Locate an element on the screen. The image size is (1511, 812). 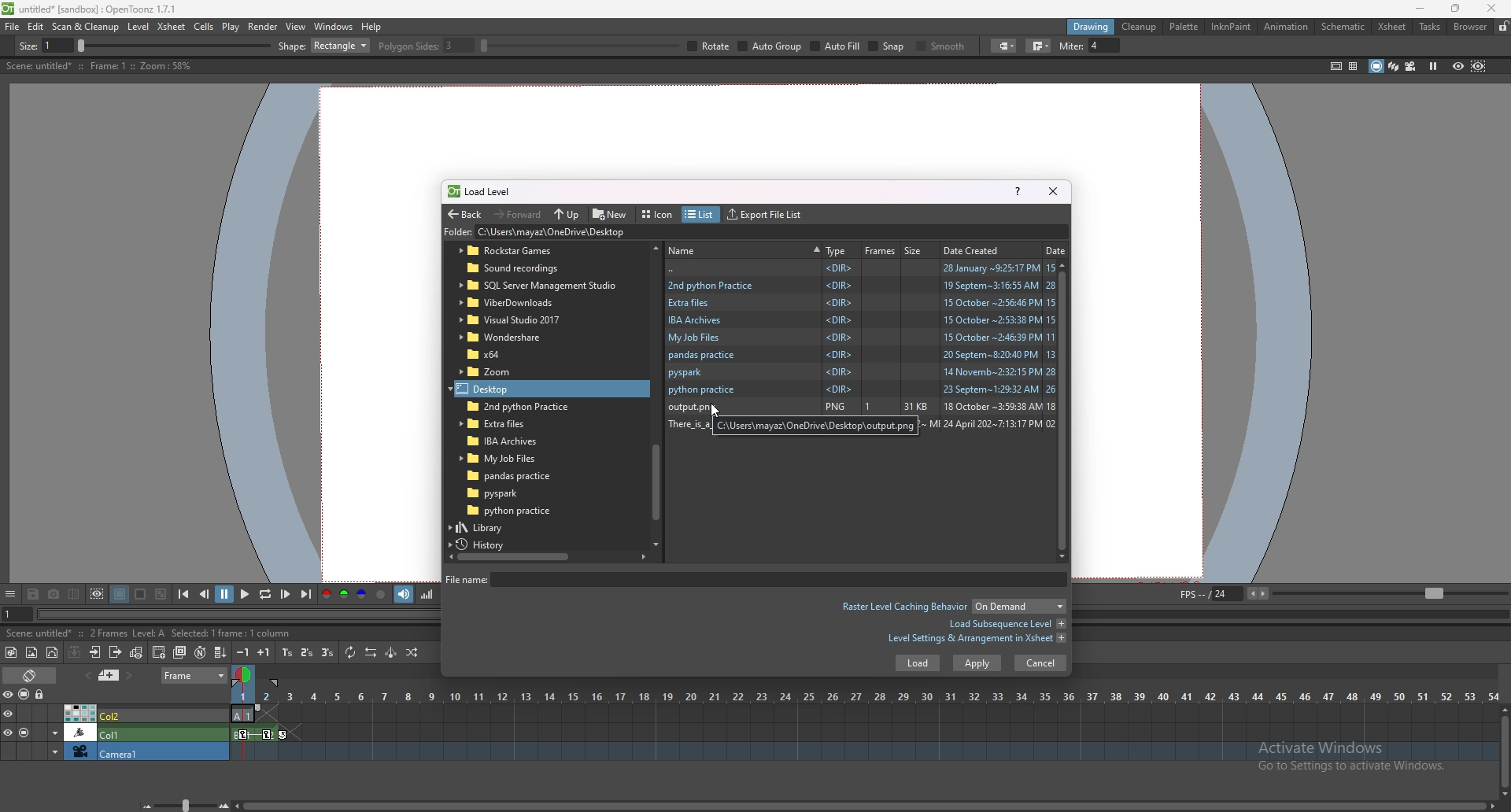
snapshot is located at coordinates (54, 595).